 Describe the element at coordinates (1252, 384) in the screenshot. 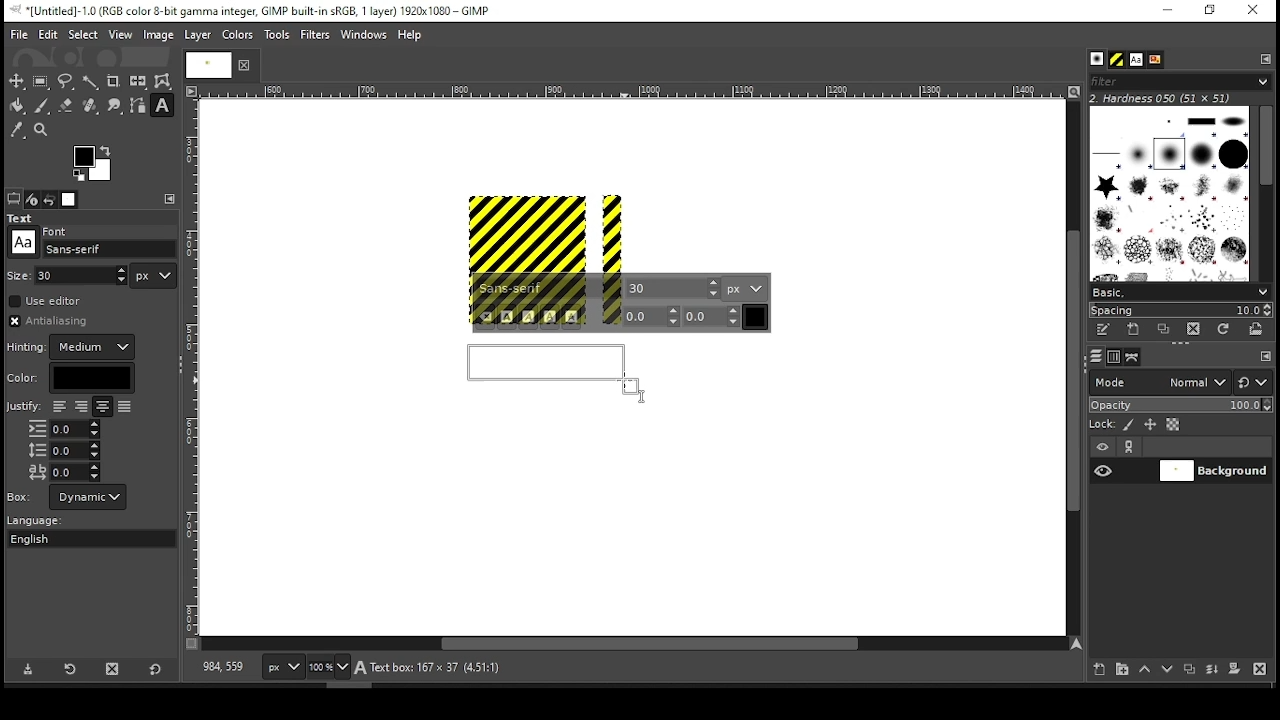

I see `switch to other mode groups` at that location.